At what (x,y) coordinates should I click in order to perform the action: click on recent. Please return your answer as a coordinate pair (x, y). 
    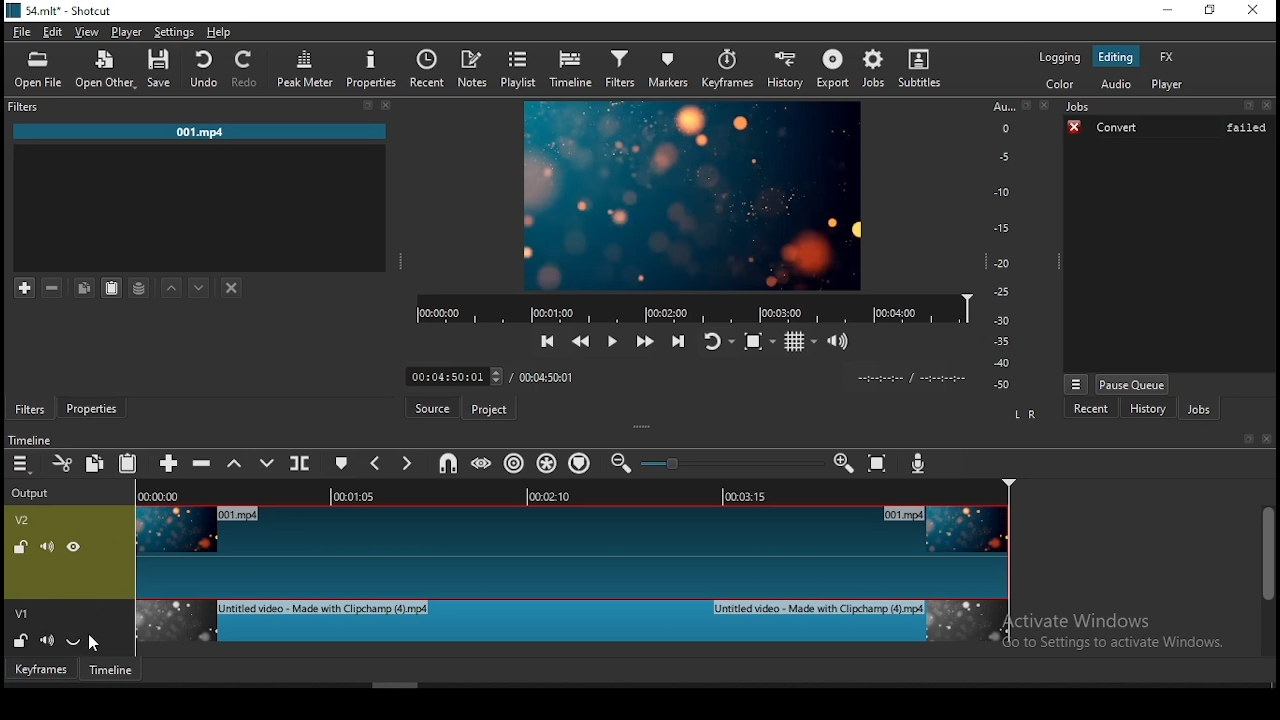
    Looking at the image, I should click on (428, 66).